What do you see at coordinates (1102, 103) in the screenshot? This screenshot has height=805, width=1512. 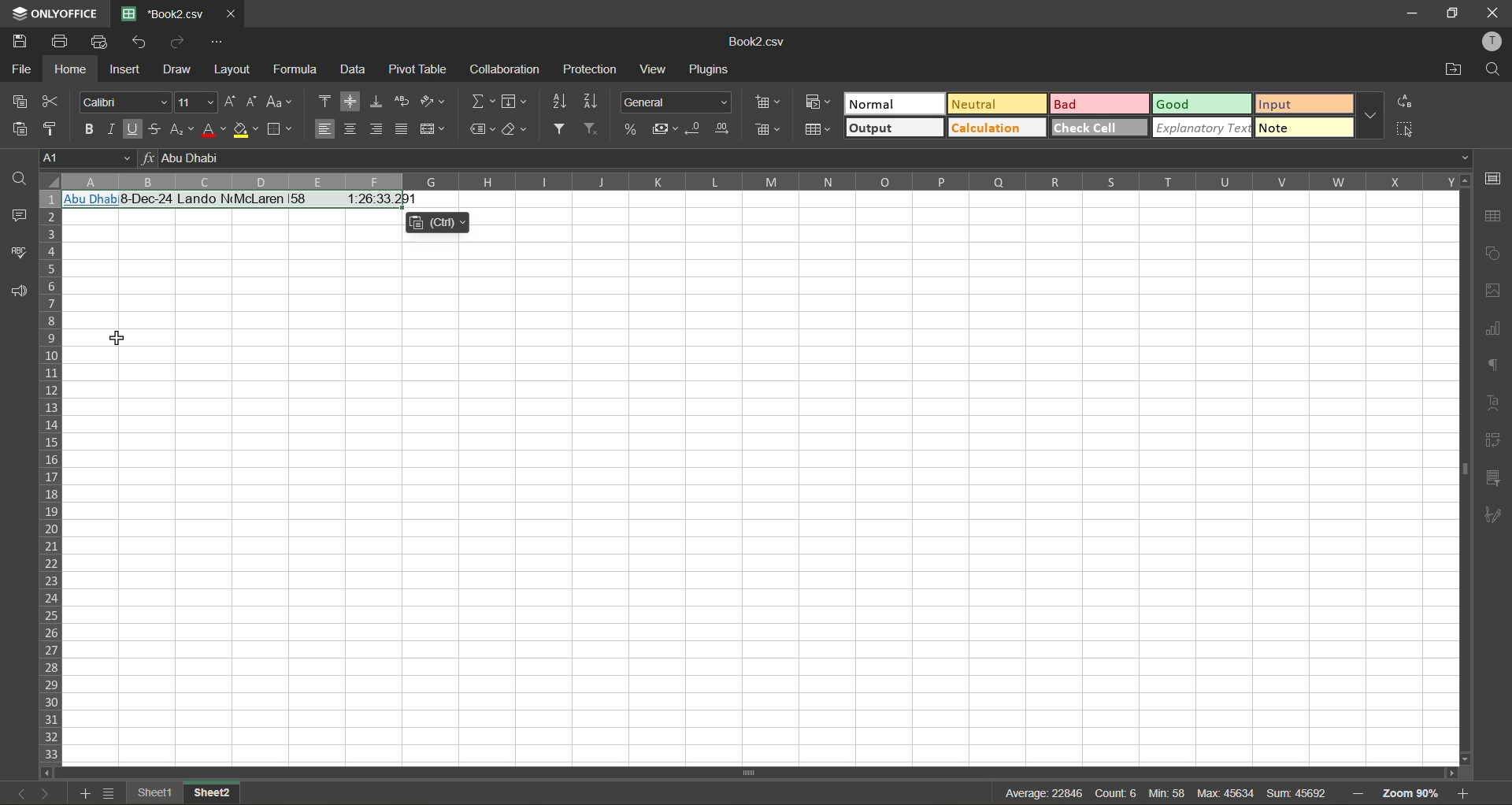 I see `bad` at bounding box center [1102, 103].